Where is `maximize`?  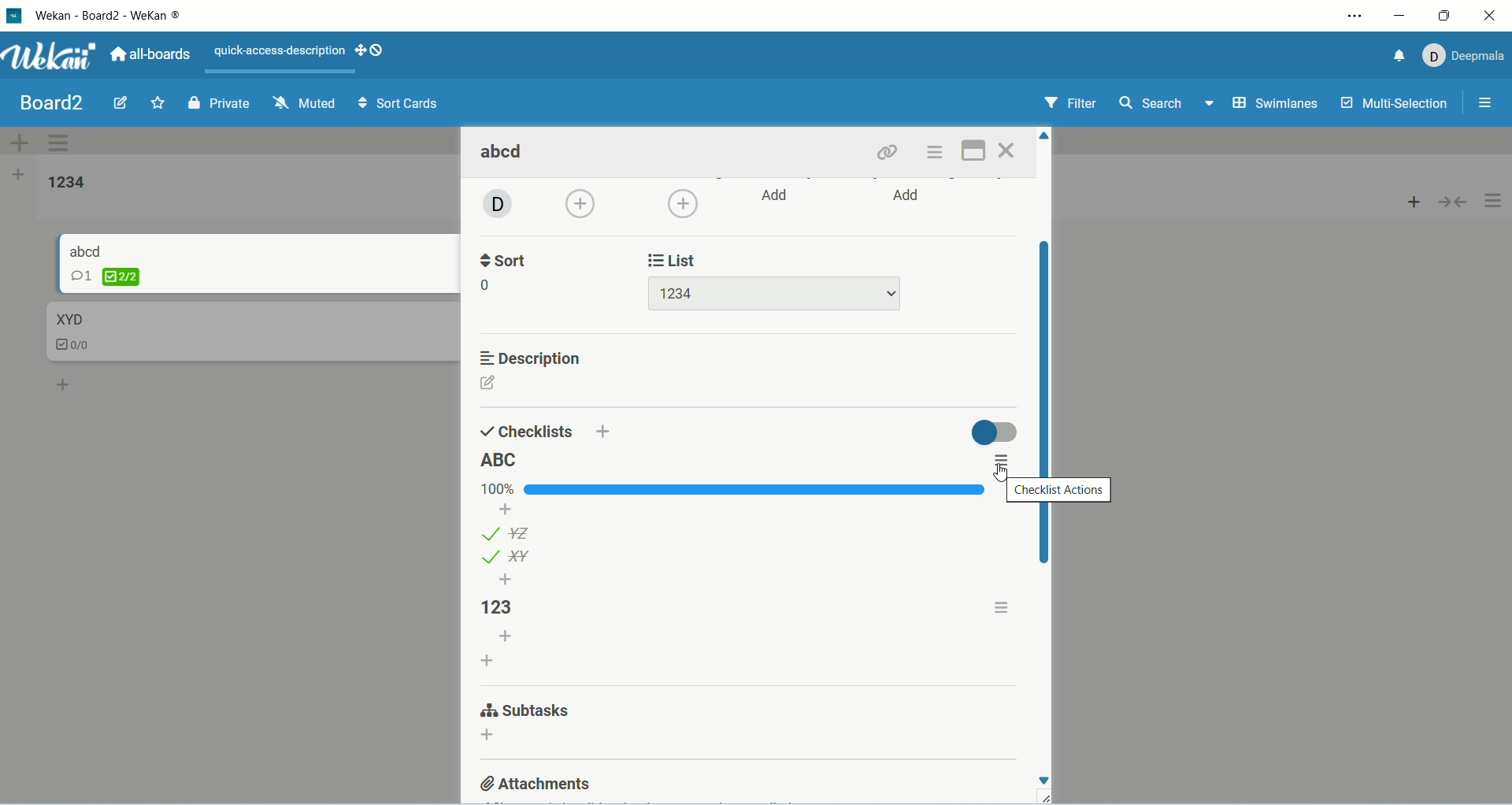
maximize is located at coordinates (1442, 16).